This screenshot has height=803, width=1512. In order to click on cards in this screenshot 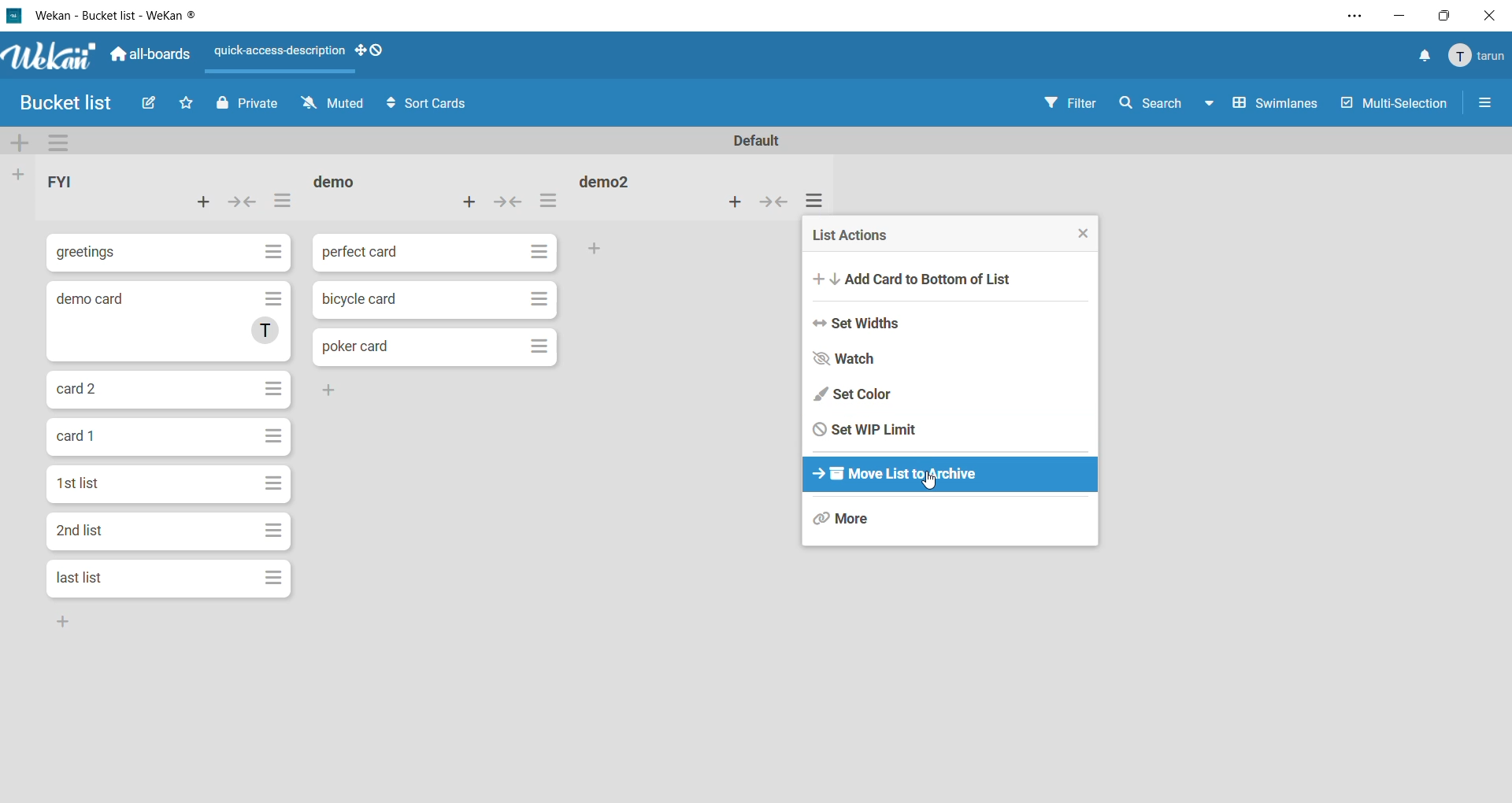, I will do `click(168, 438)`.